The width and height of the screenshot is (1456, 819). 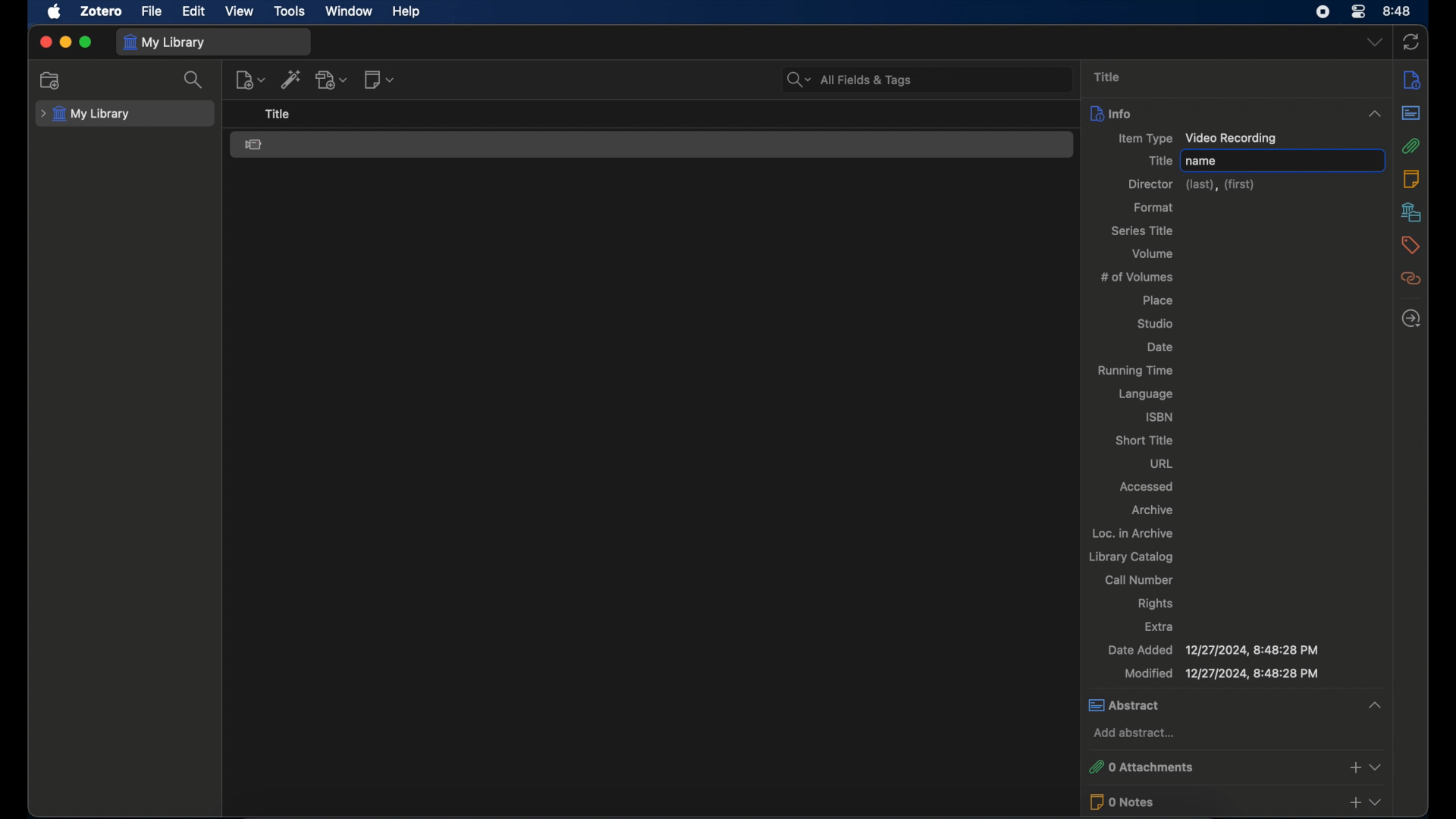 What do you see at coordinates (1153, 253) in the screenshot?
I see `volume` at bounding box center [1153, 253].